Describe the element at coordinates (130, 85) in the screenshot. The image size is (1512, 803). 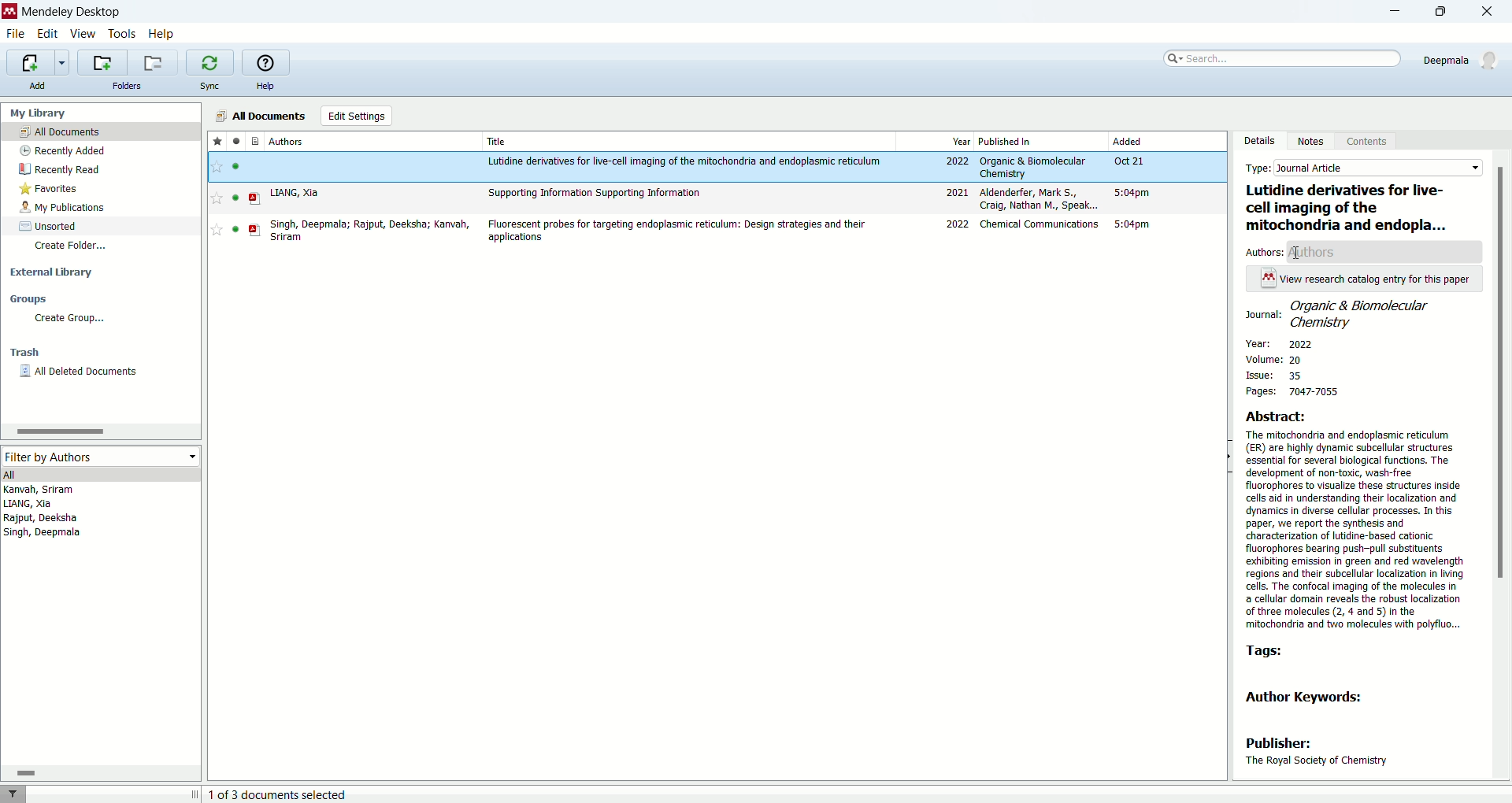
I see `folders` at that location.